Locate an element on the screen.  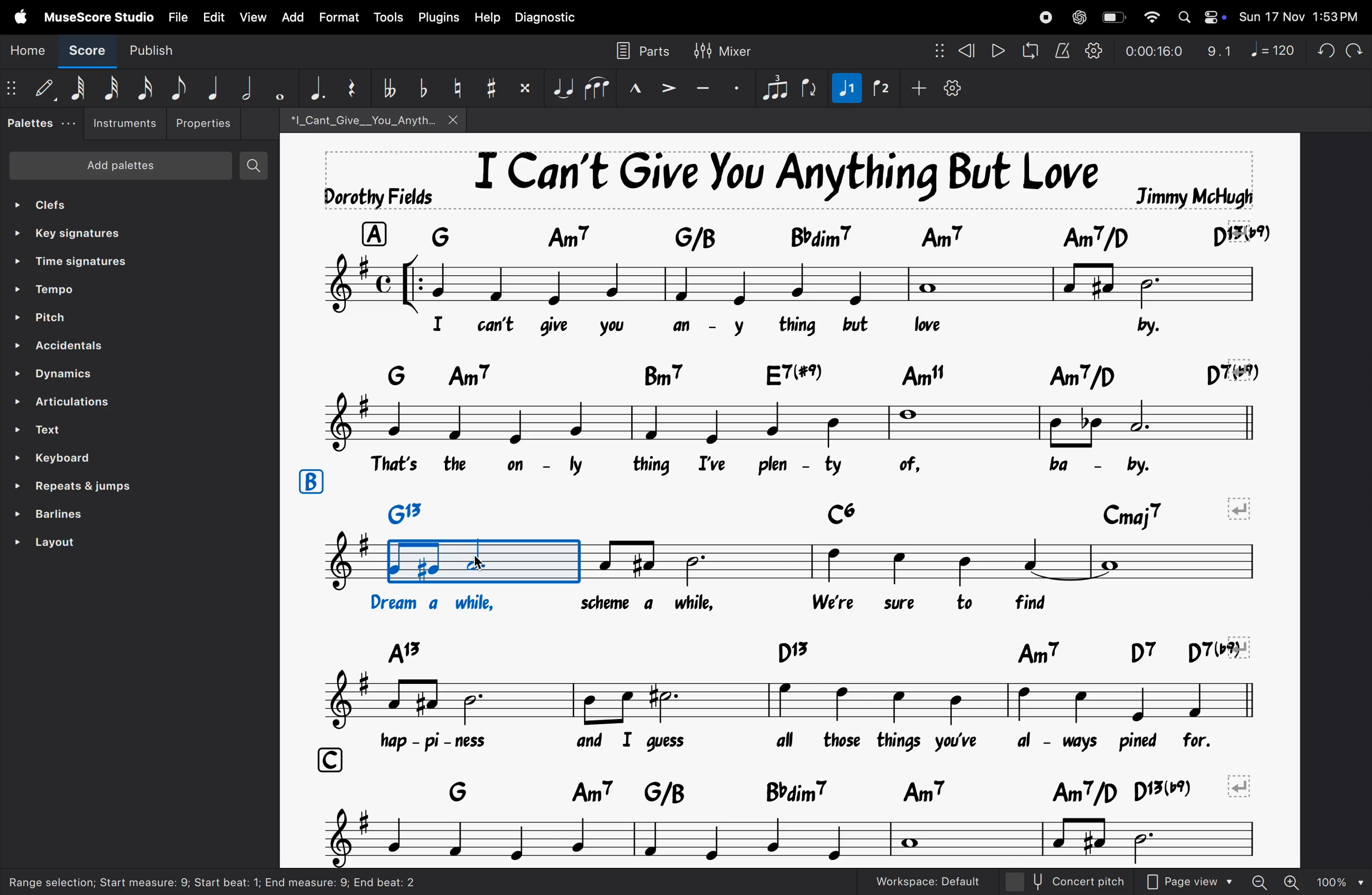
lyrics is located at coordinates (800, 742).